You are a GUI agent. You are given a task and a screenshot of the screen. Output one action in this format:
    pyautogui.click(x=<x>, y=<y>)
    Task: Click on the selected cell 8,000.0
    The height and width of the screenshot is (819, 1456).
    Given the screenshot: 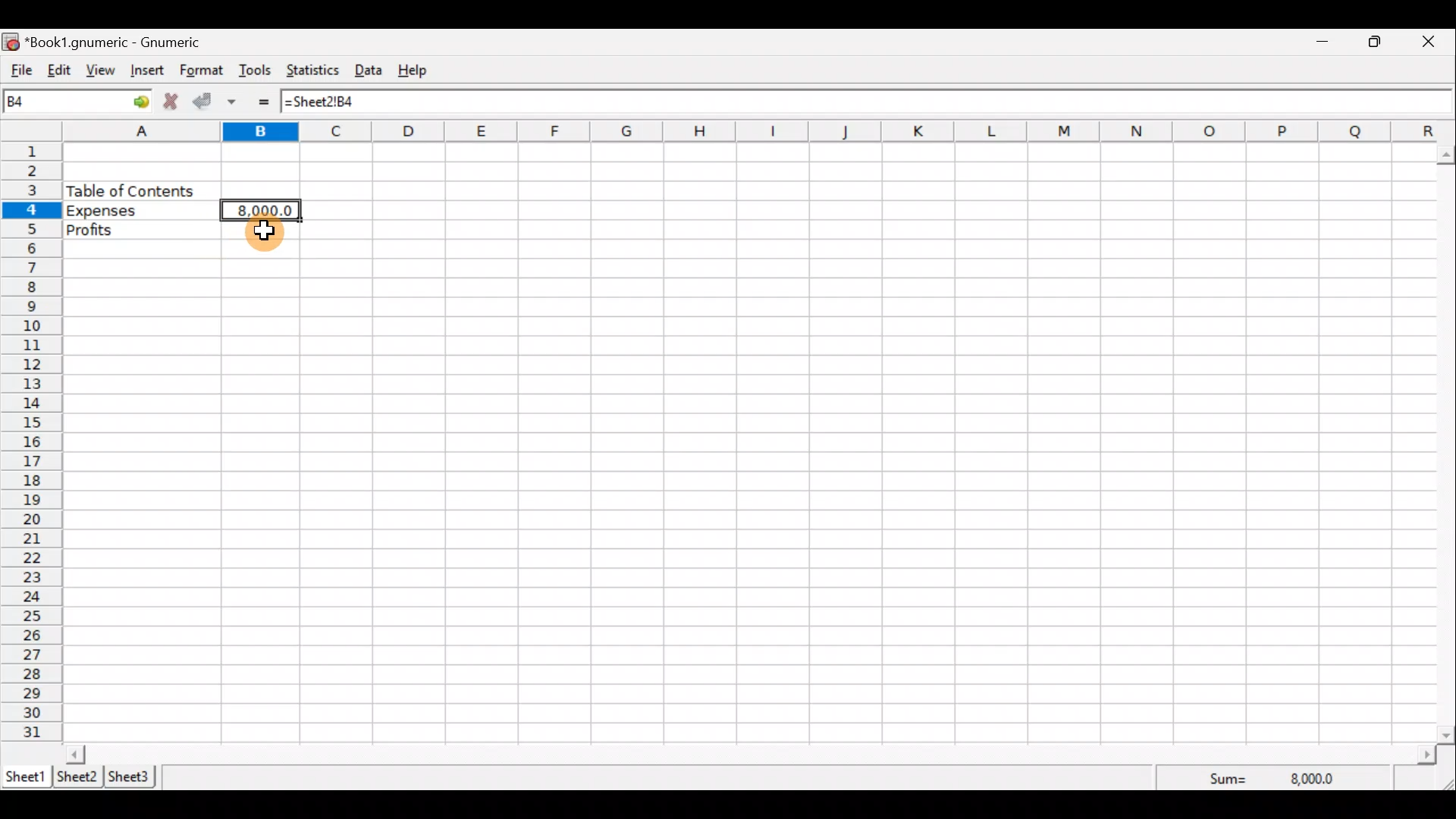 What is the action you would take?
    pyautogui.click(x=264, y=209)
    